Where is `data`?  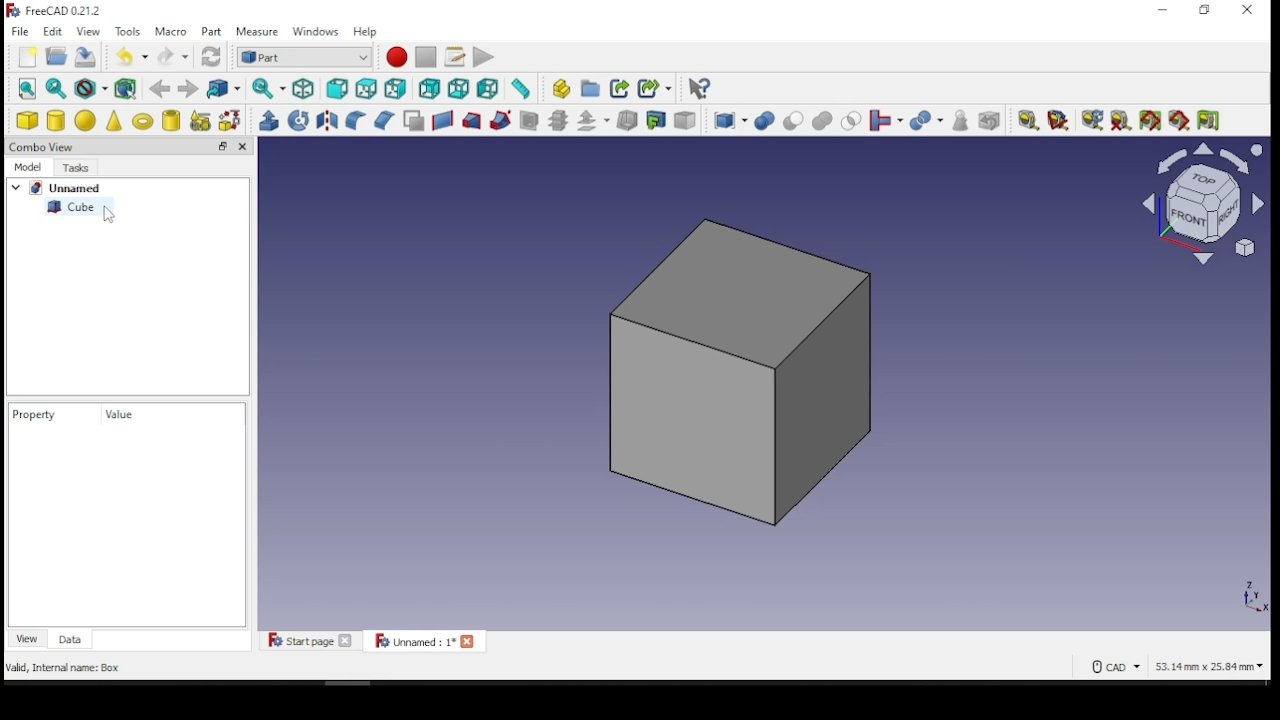
data is located at coordinates (72, 638).